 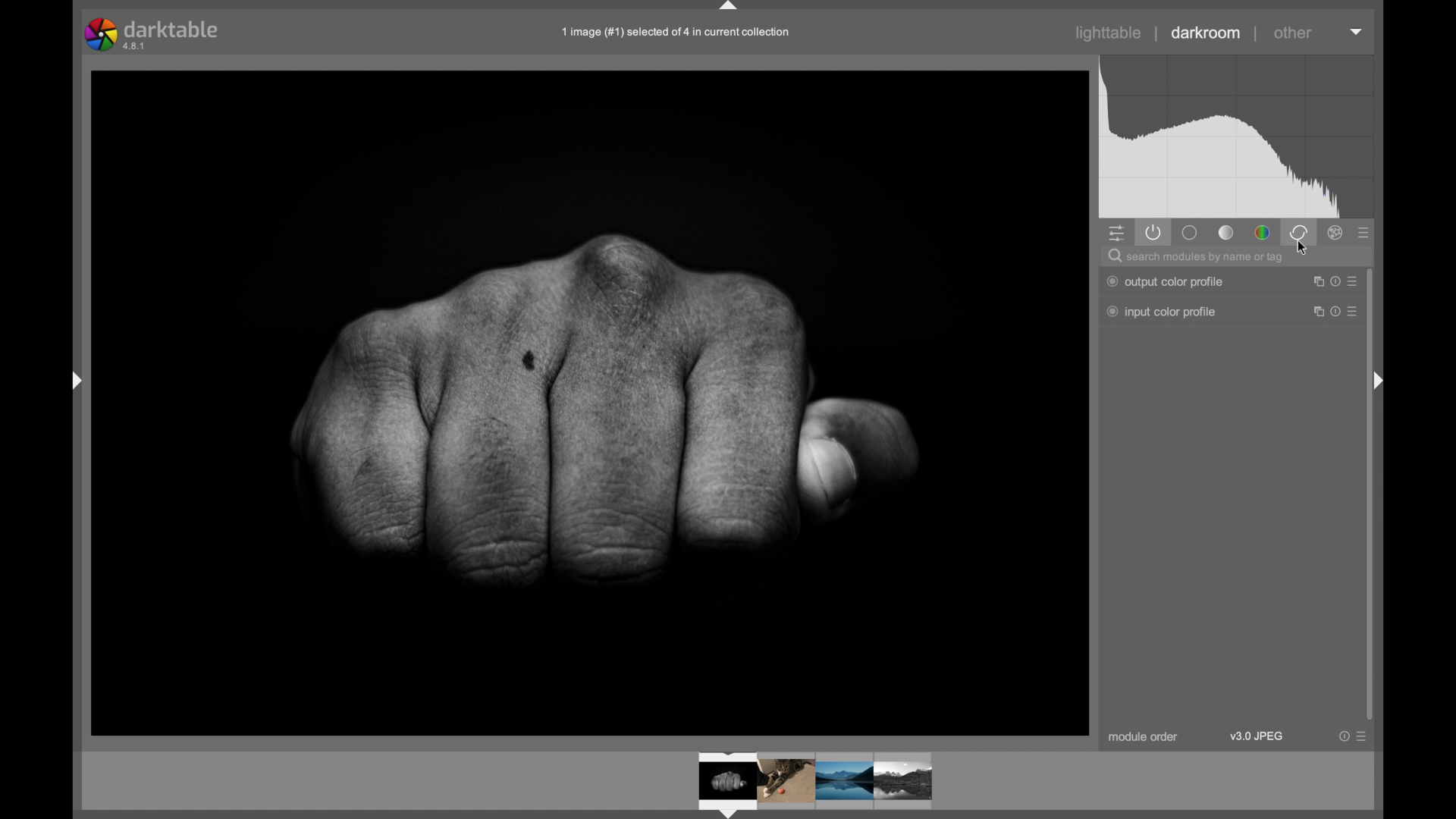 What do you see at coordinates (677, 32) in the screenshot?
I see `1 image (#1) selected of 4 in current collection` at bounding box center [677, 32].